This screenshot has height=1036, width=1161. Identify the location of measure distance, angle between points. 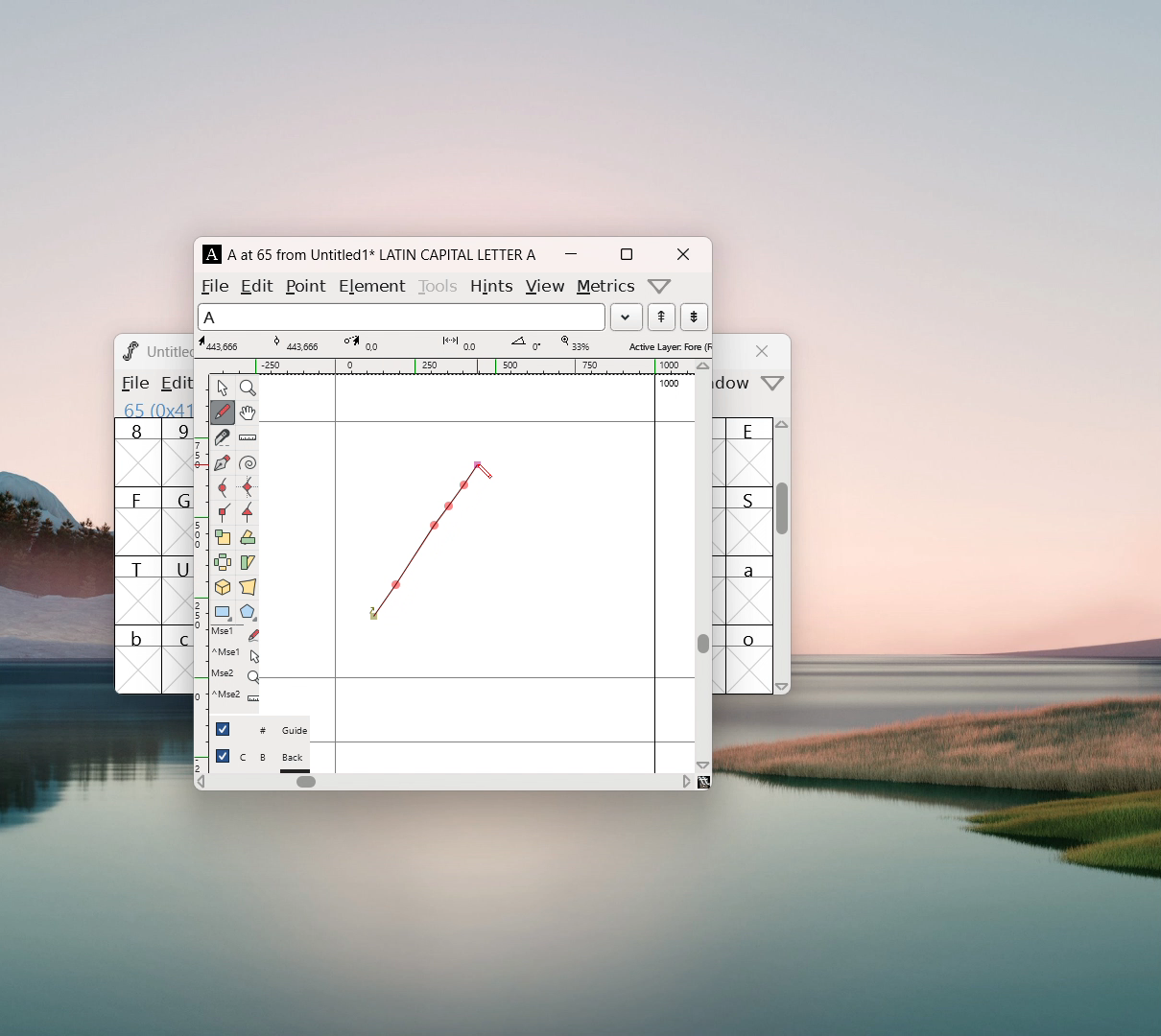
(248, 438).